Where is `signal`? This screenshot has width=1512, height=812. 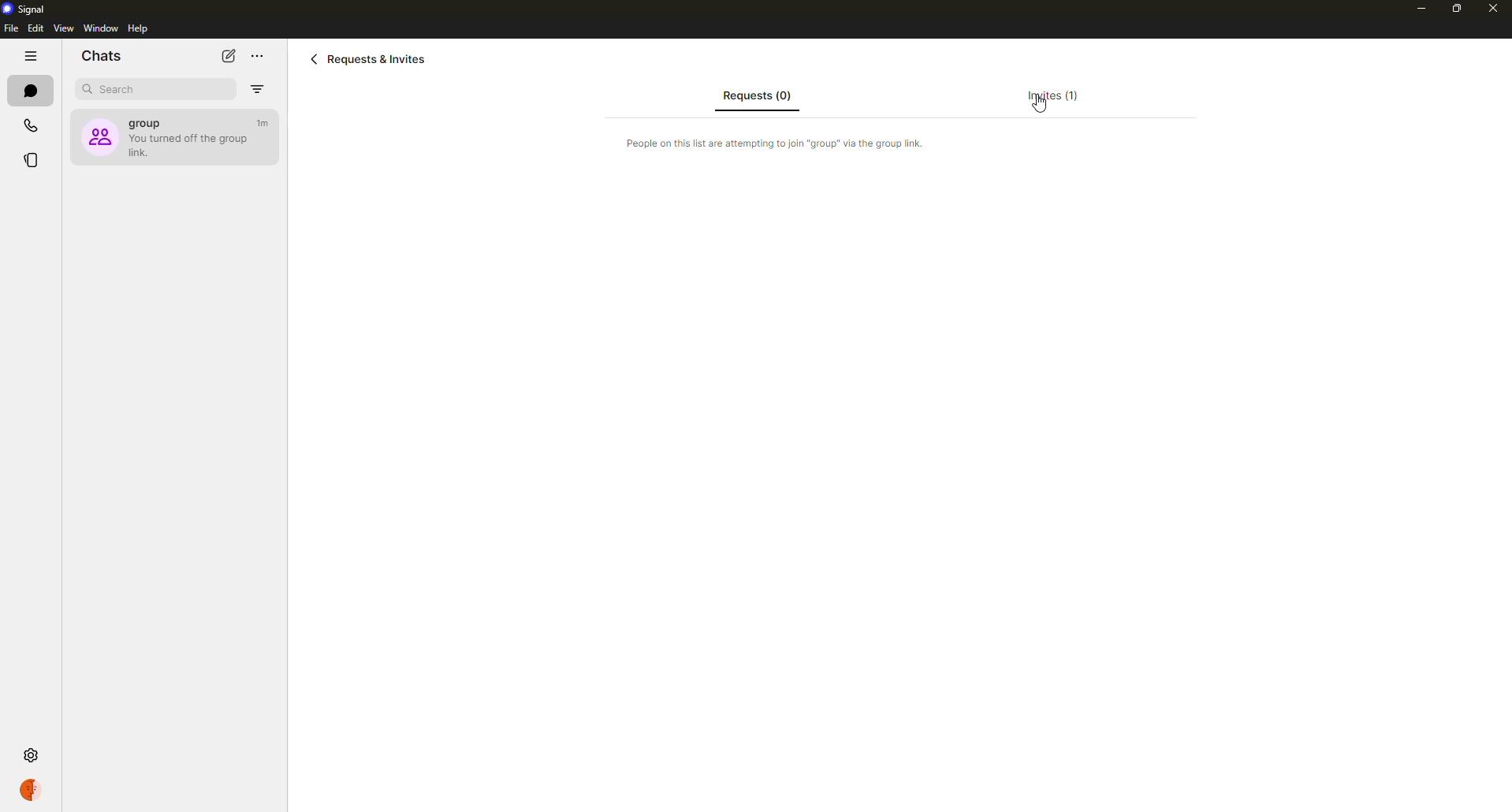
signal is located at coordinates (29, 11).